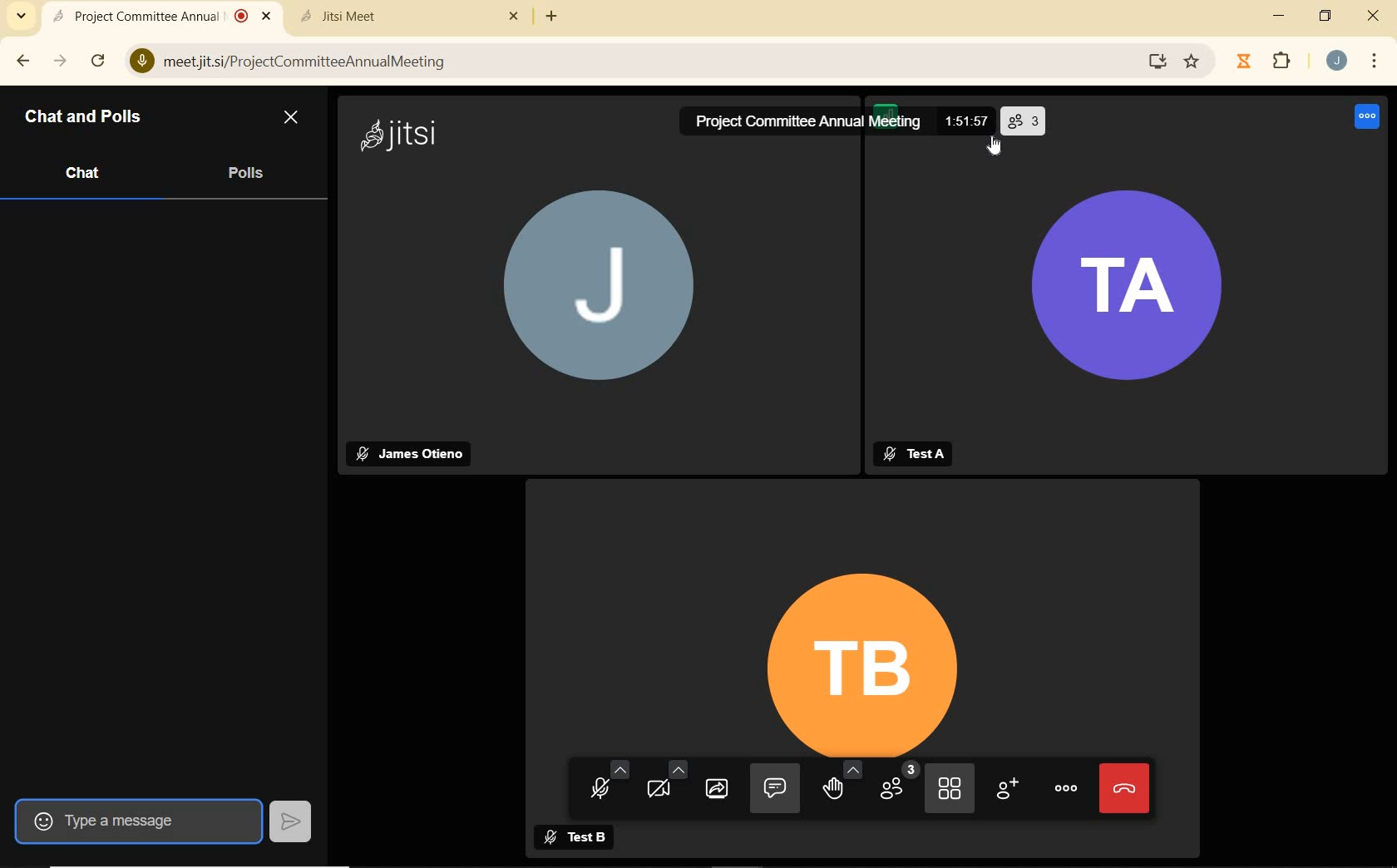 This screenshot has height=868, width=1397. What do you see at coordinates (245, 170) in the screenshot?
I see `polls` at bounding box center [245, 170].